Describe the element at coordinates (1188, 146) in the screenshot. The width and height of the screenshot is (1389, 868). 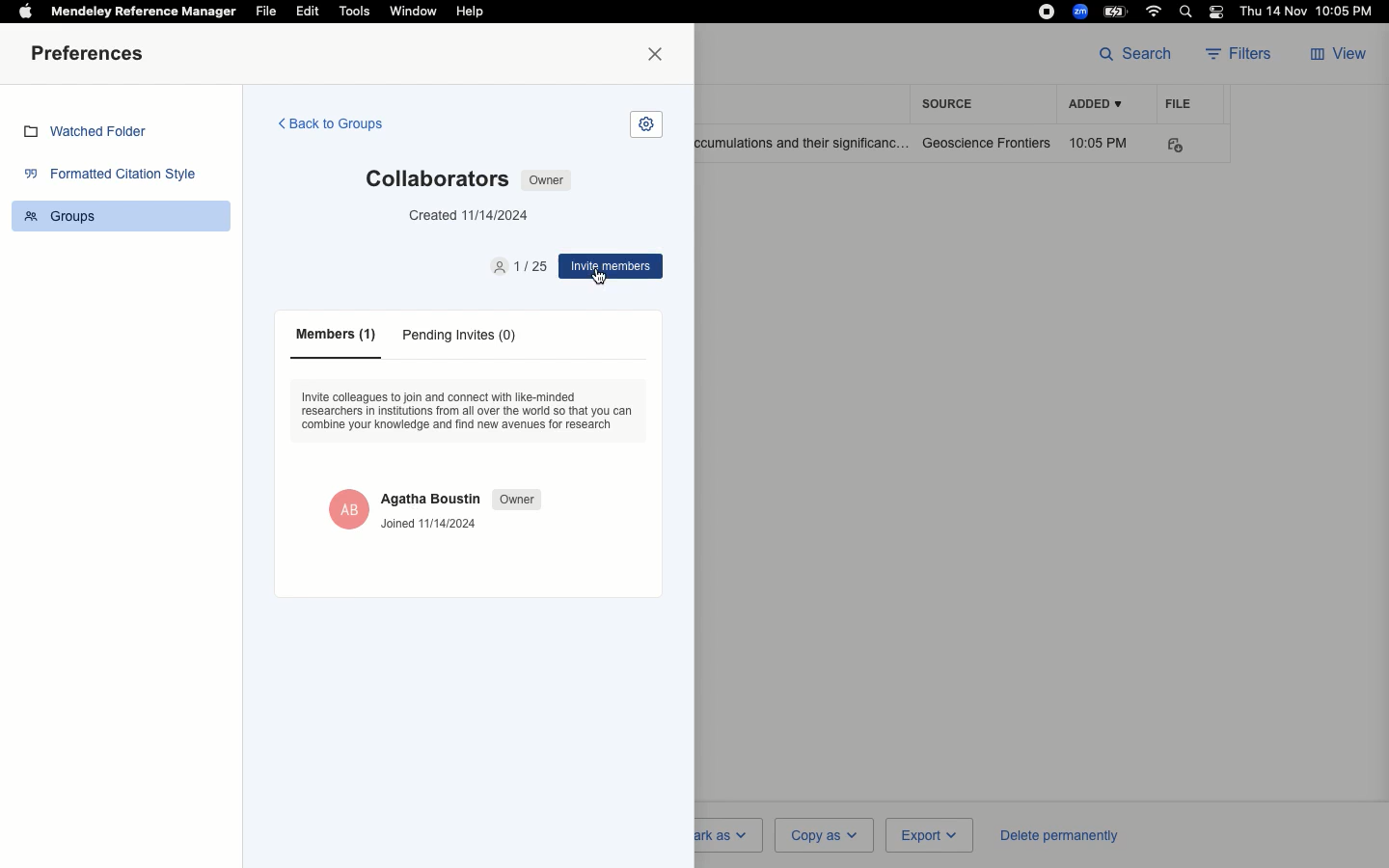
I see `PDF` at that location.